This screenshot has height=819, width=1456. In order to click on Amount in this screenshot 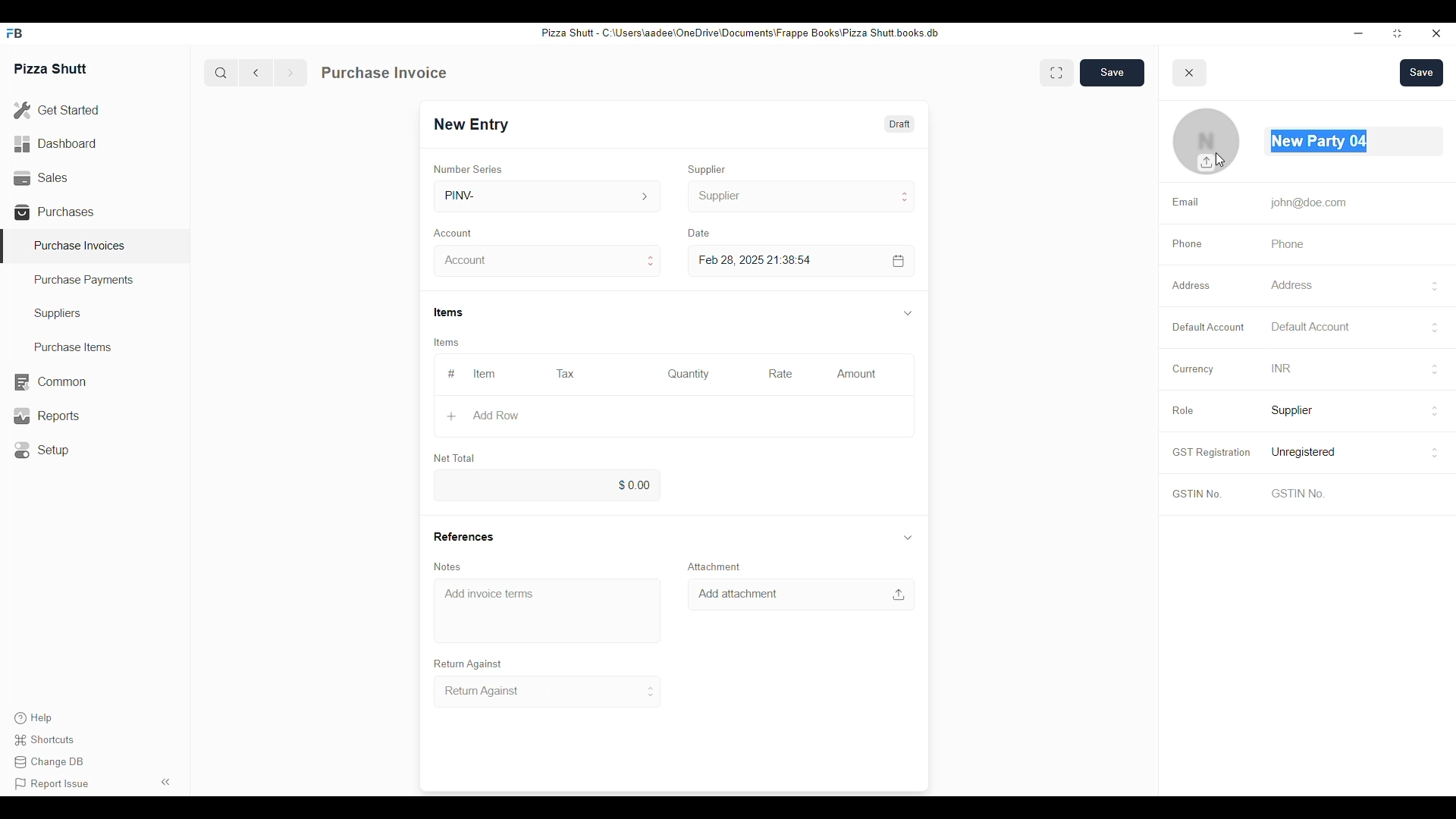, I will do `click(858, 374)`.